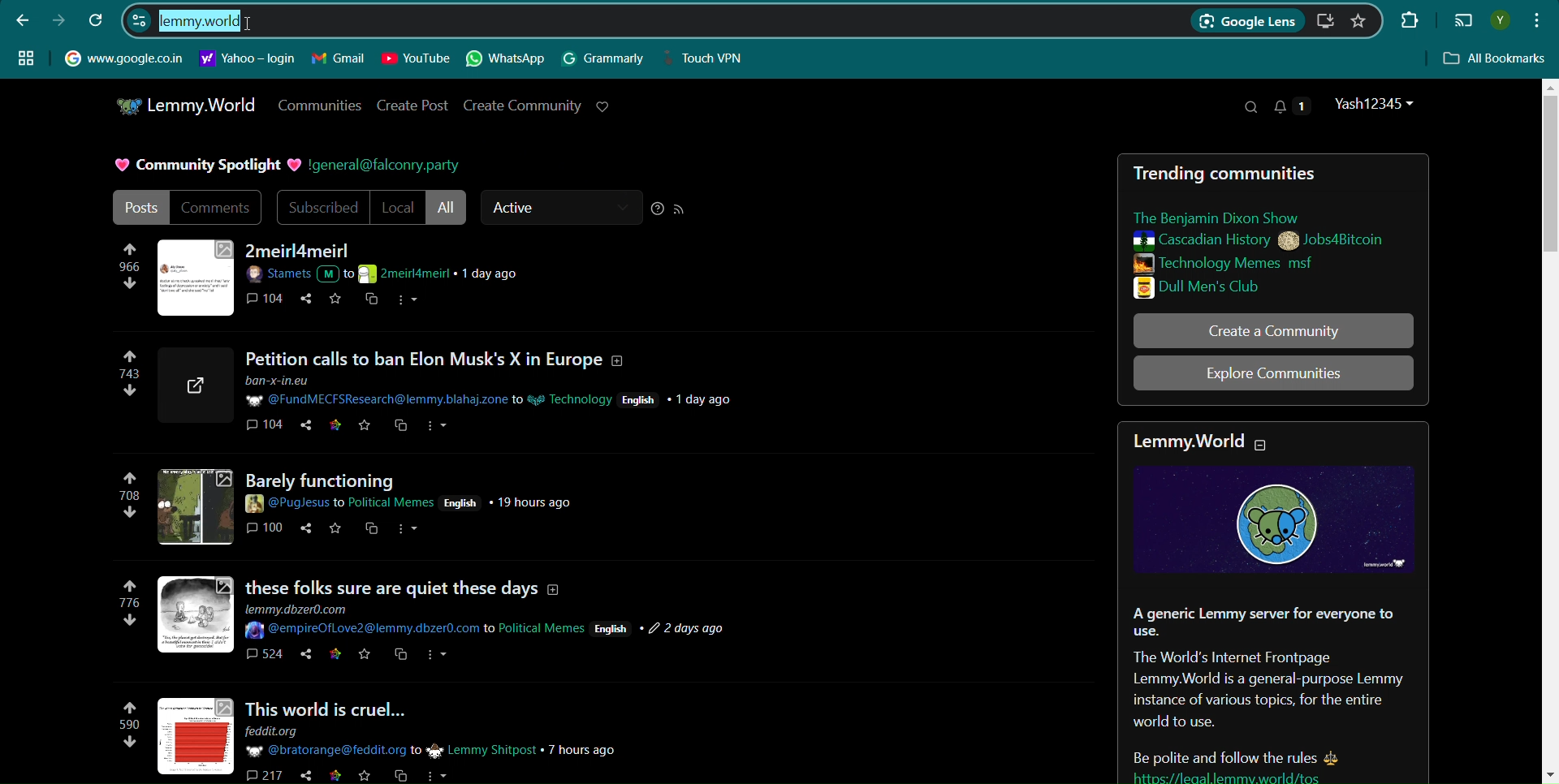 The image size is (1559, 784). Describe the element at coordinates (1539, 19) in the screenshot. I see `Customize and control google chrome` at that location.